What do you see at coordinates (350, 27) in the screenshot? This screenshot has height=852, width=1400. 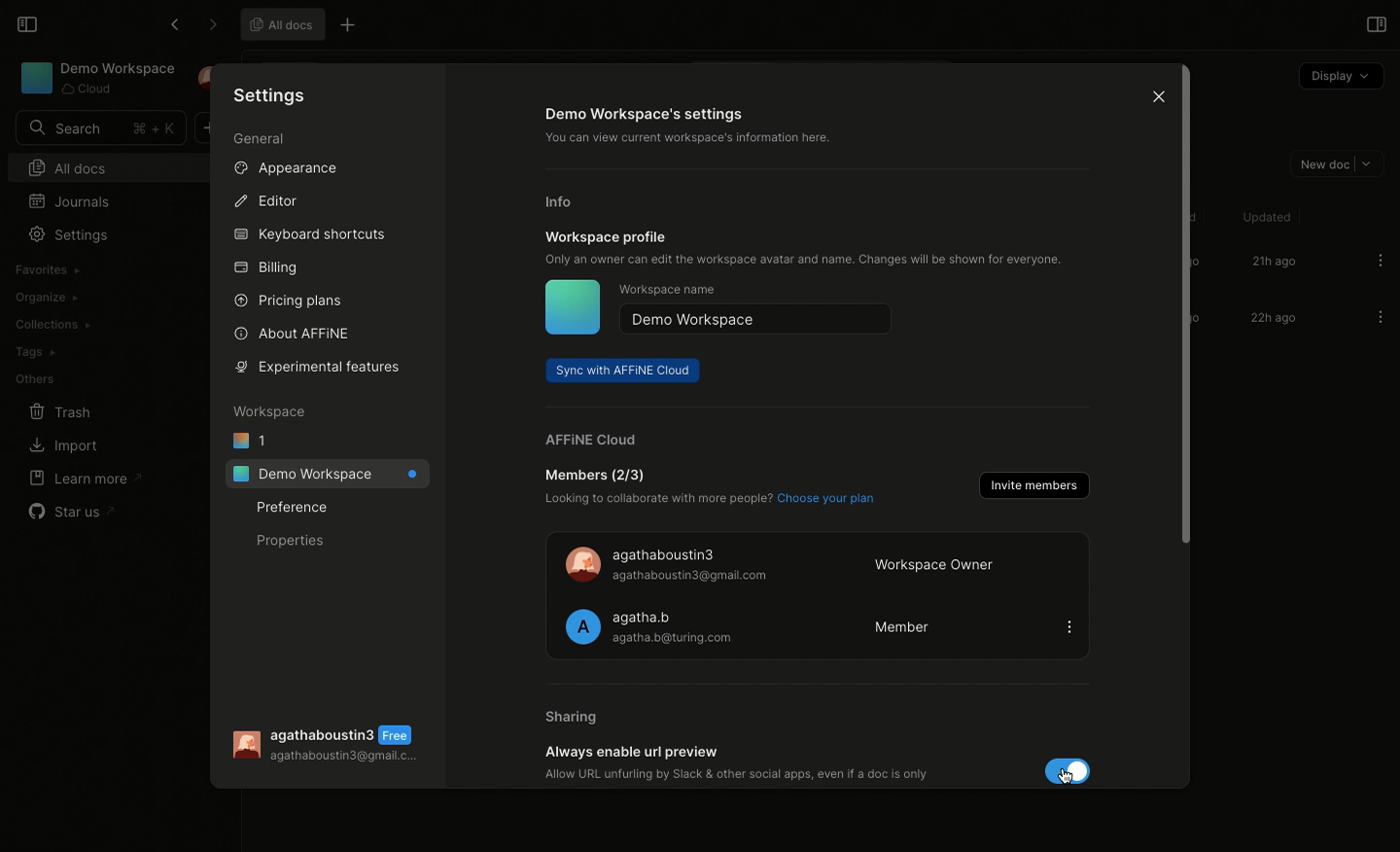 I see `Other options` at bounding box center [350, 27].